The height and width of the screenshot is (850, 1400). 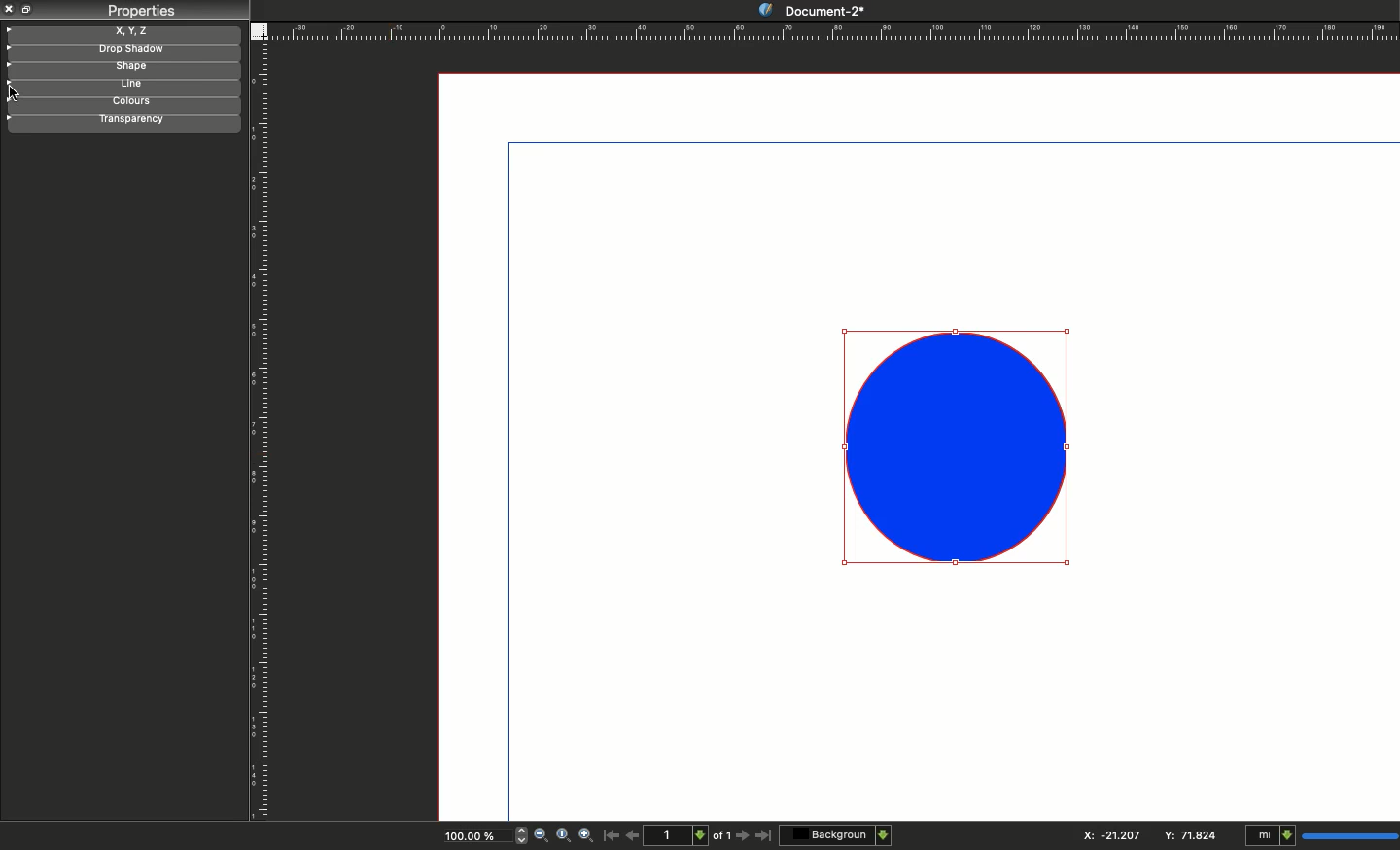 I want to click on Y: 84.706, so click(x=1193, y=834).